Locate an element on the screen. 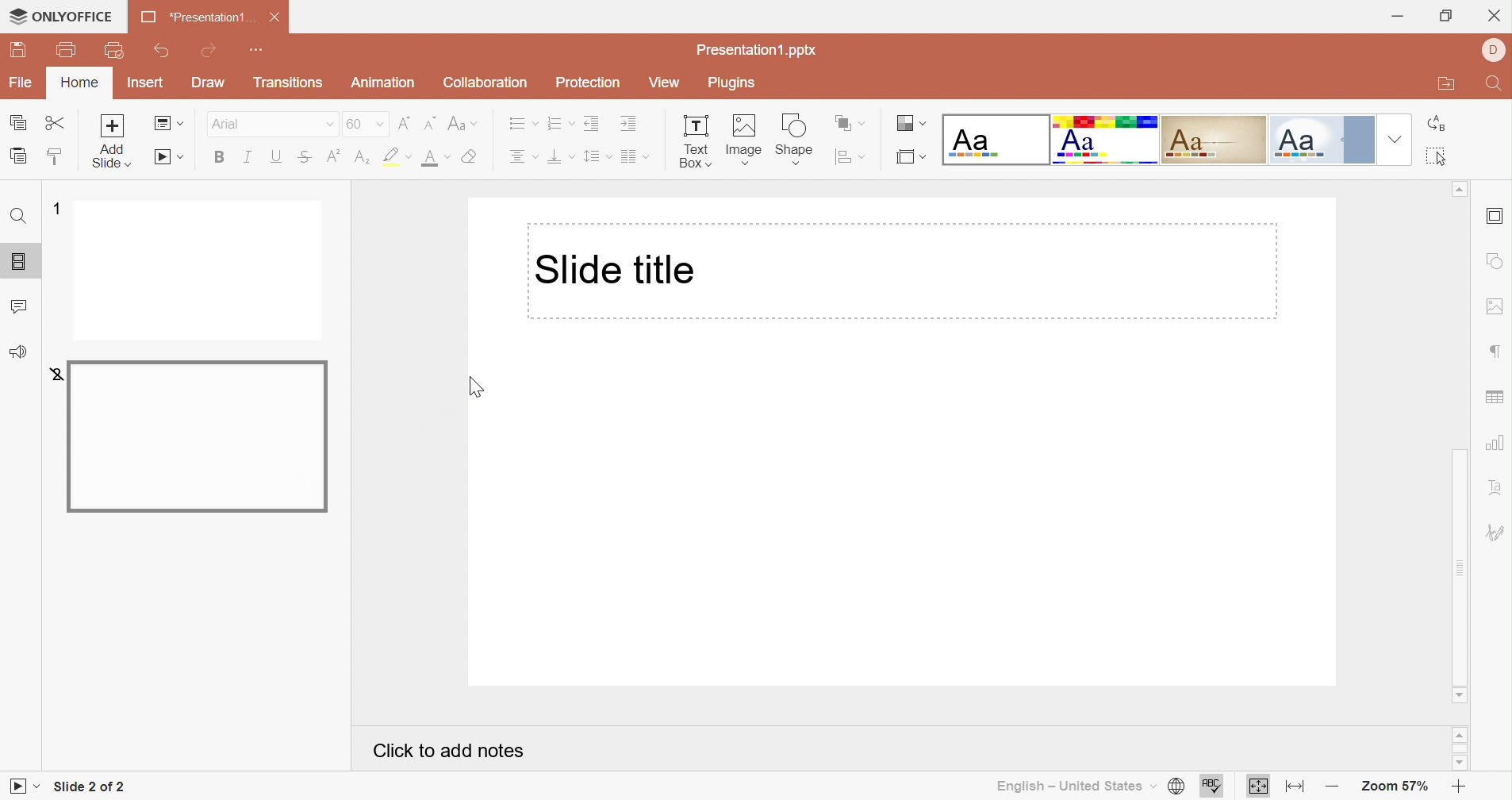 The image size is (1512, 800). Presentation1.pptx is located at coordinates (760, 49).